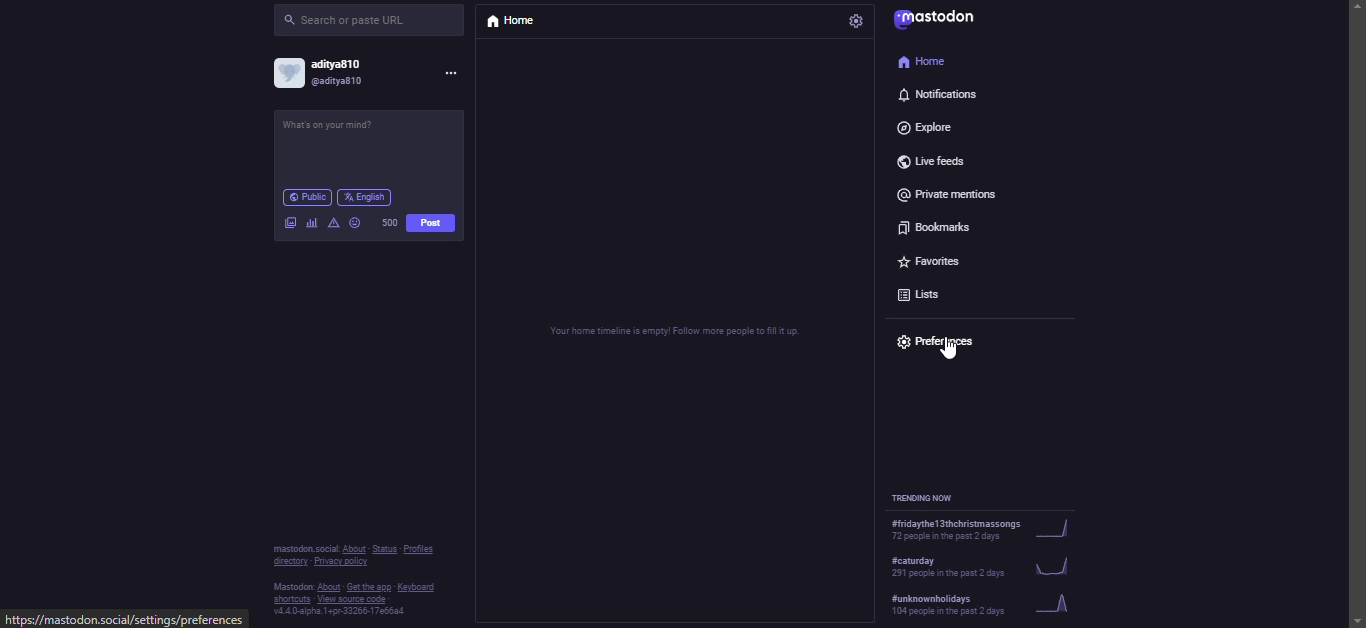  Describe the element at coordinates (930, 160) in the screenshot. I see `live feeds` at that location.